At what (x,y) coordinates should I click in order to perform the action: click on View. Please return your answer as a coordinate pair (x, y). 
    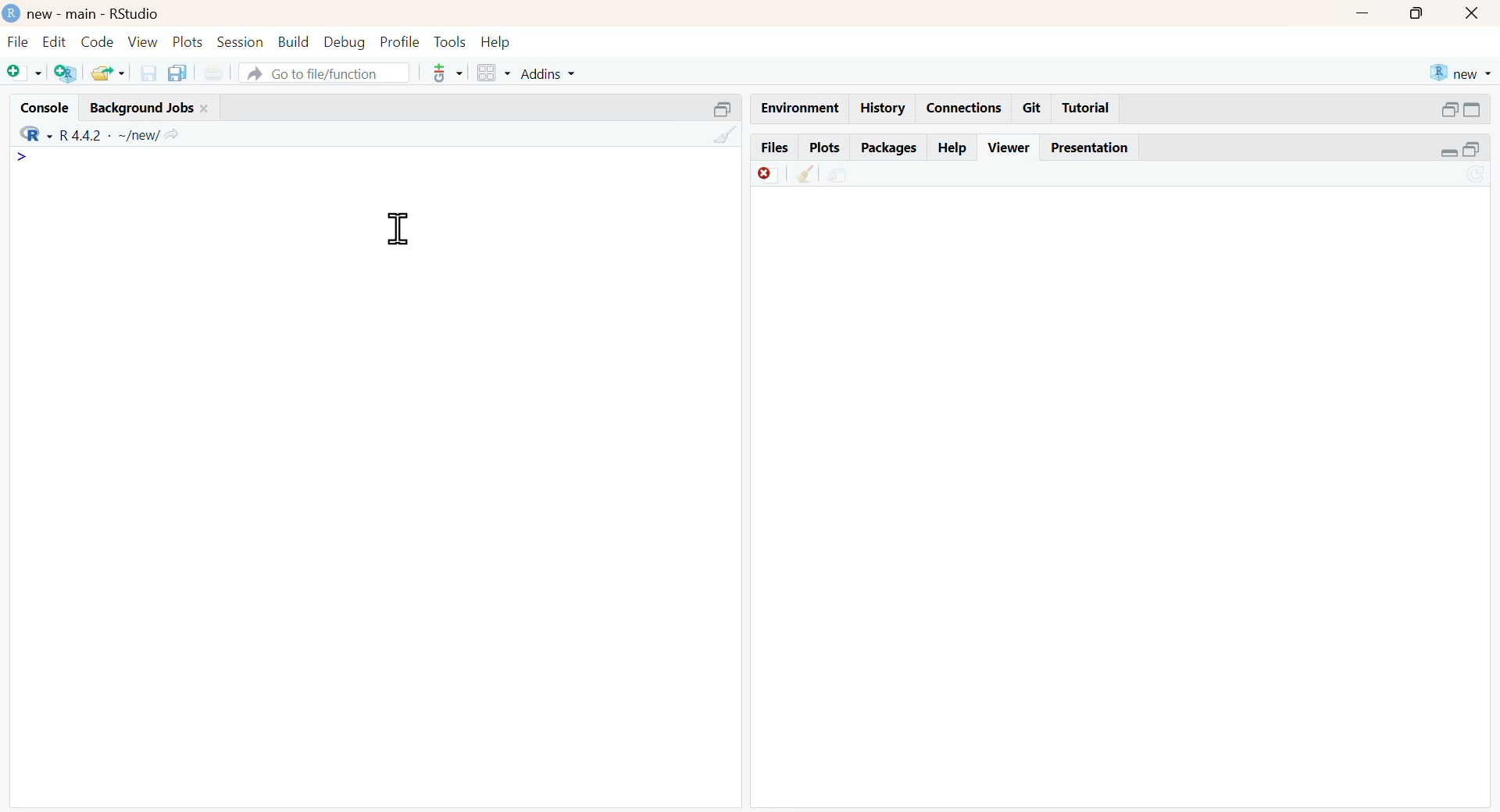
    Looking at the image, I should click on (142, 41).